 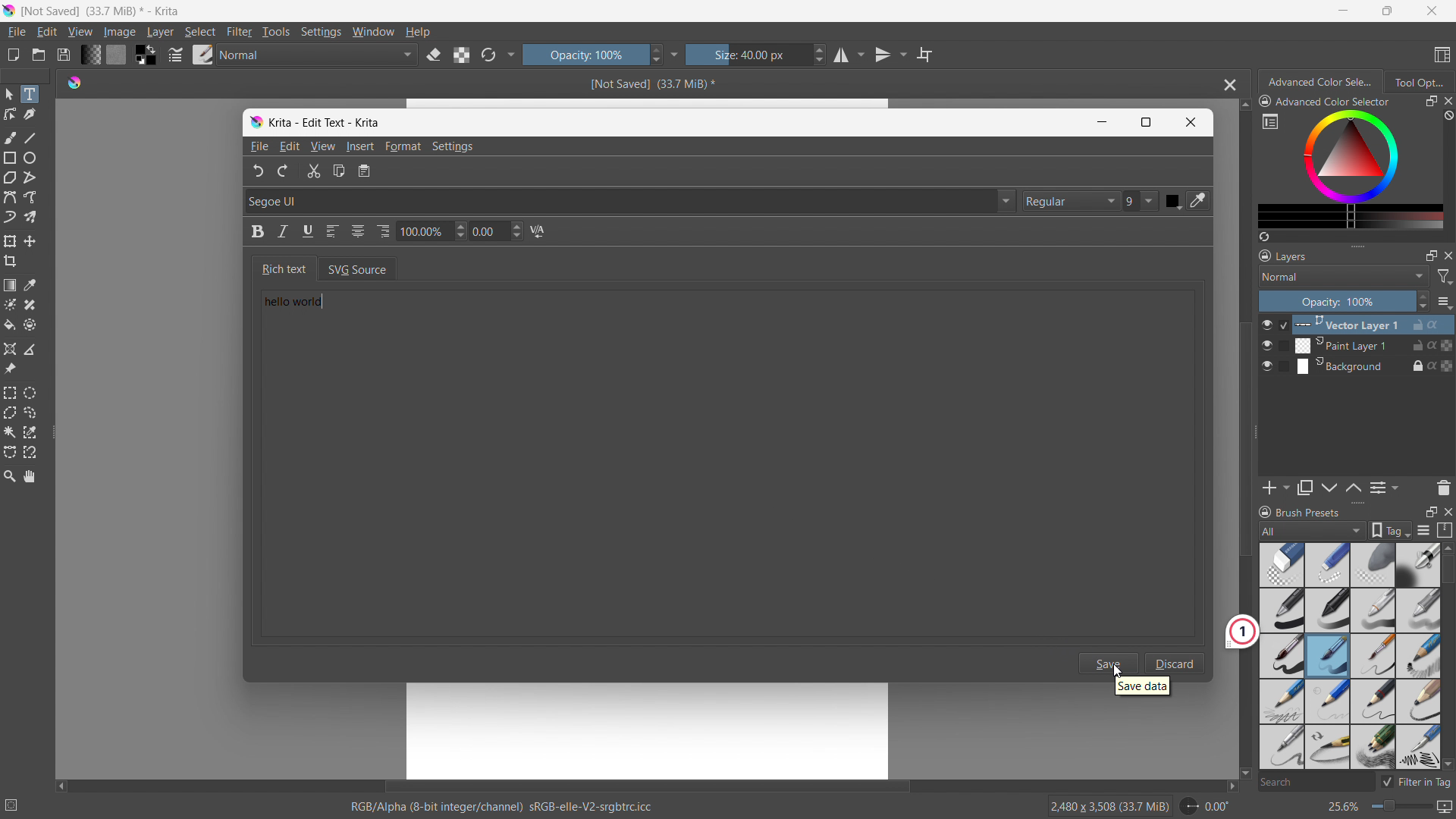 What do you see at coordinates (1357, 504) in the screenshot?
I see `resize ` at bounding box center [1357, 504].